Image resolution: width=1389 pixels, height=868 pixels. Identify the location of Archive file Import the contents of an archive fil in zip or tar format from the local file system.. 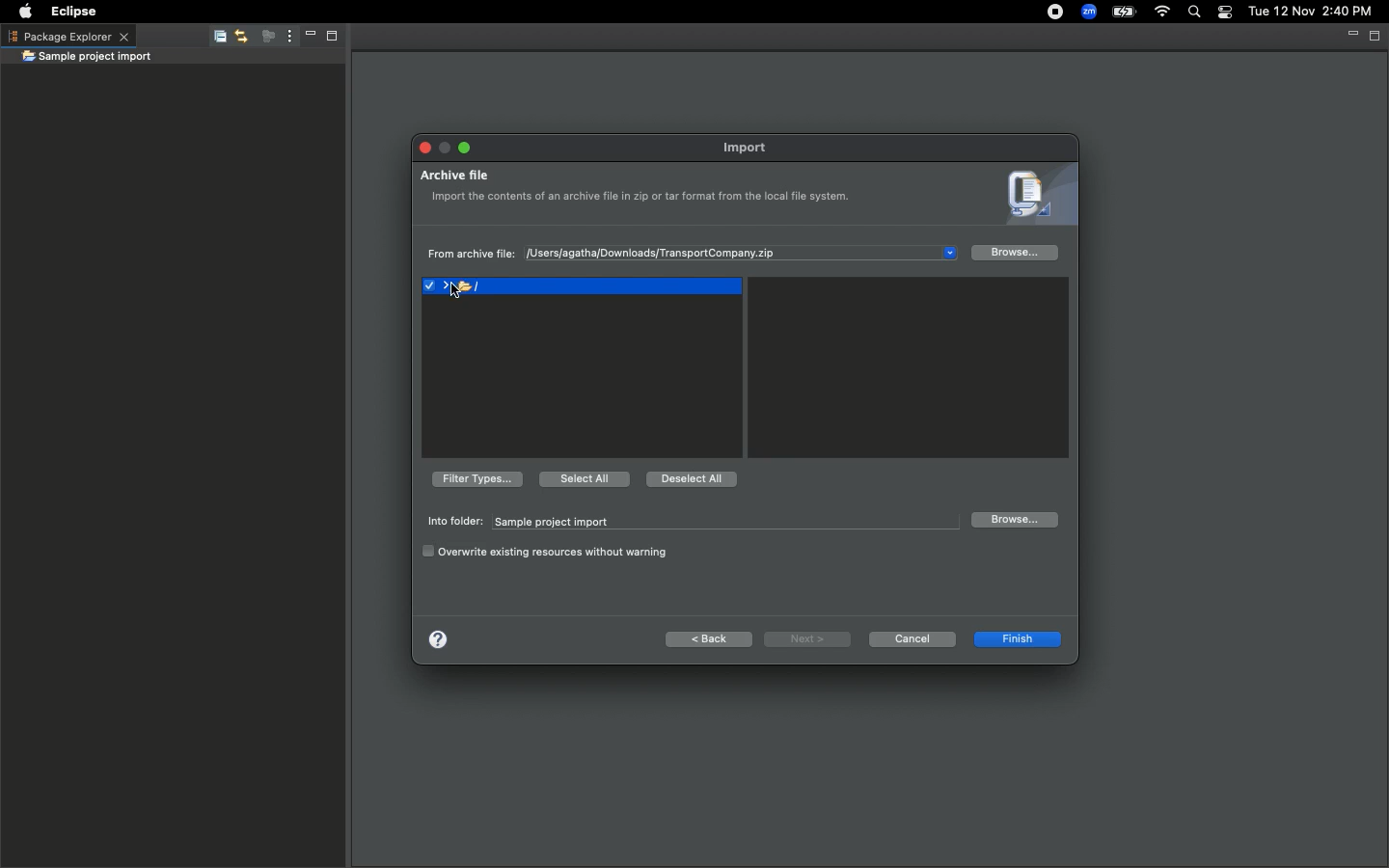
(640, 192).